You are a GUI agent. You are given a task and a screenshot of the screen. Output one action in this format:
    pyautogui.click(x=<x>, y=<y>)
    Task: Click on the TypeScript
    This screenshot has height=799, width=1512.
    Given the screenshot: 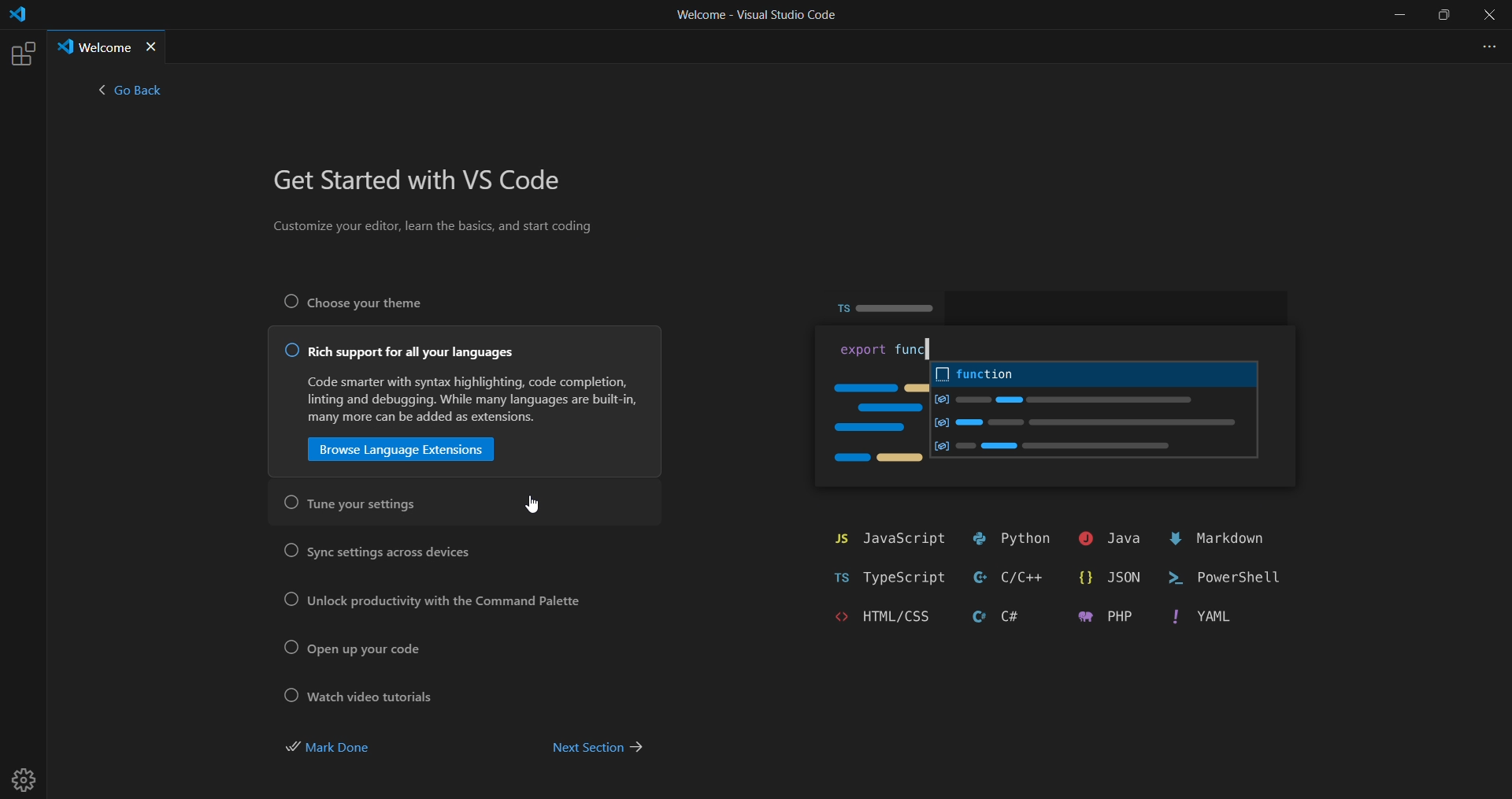 What is the action you would take?
    pyautogui.click(x=880, y=578)
    